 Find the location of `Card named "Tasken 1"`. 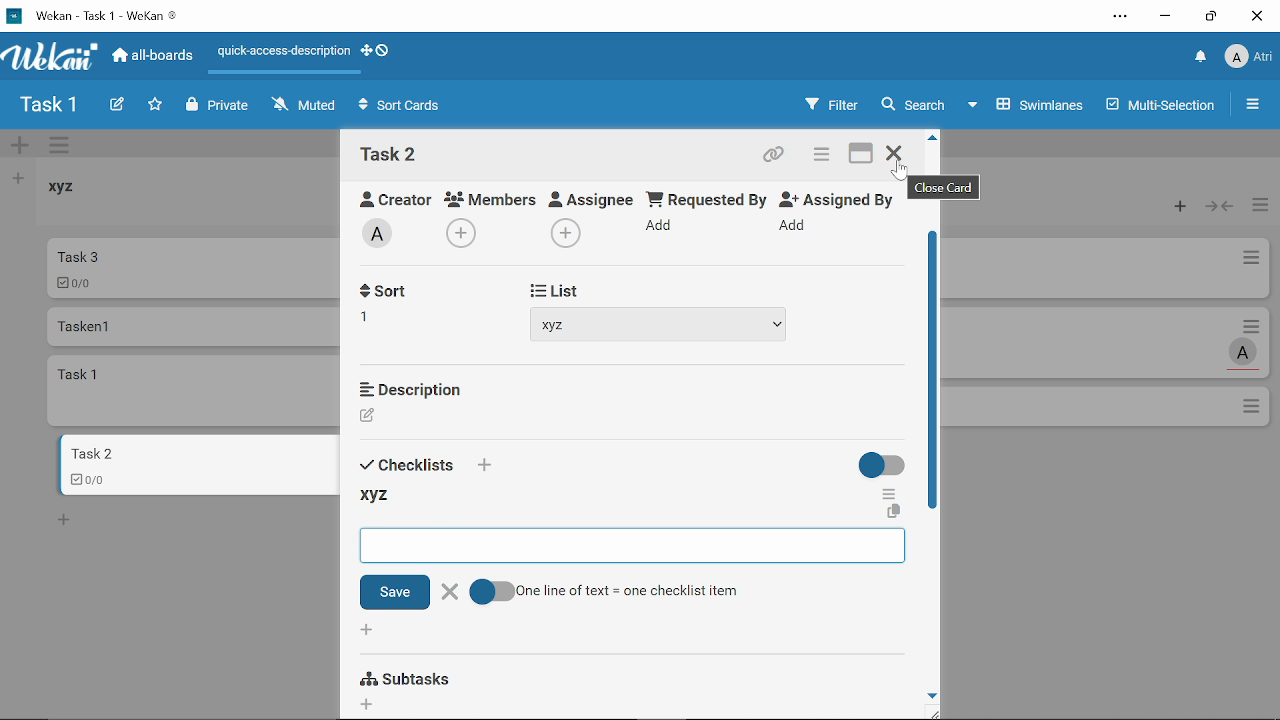

Card named "Tasken 1" is located at coordinates (192, 326).